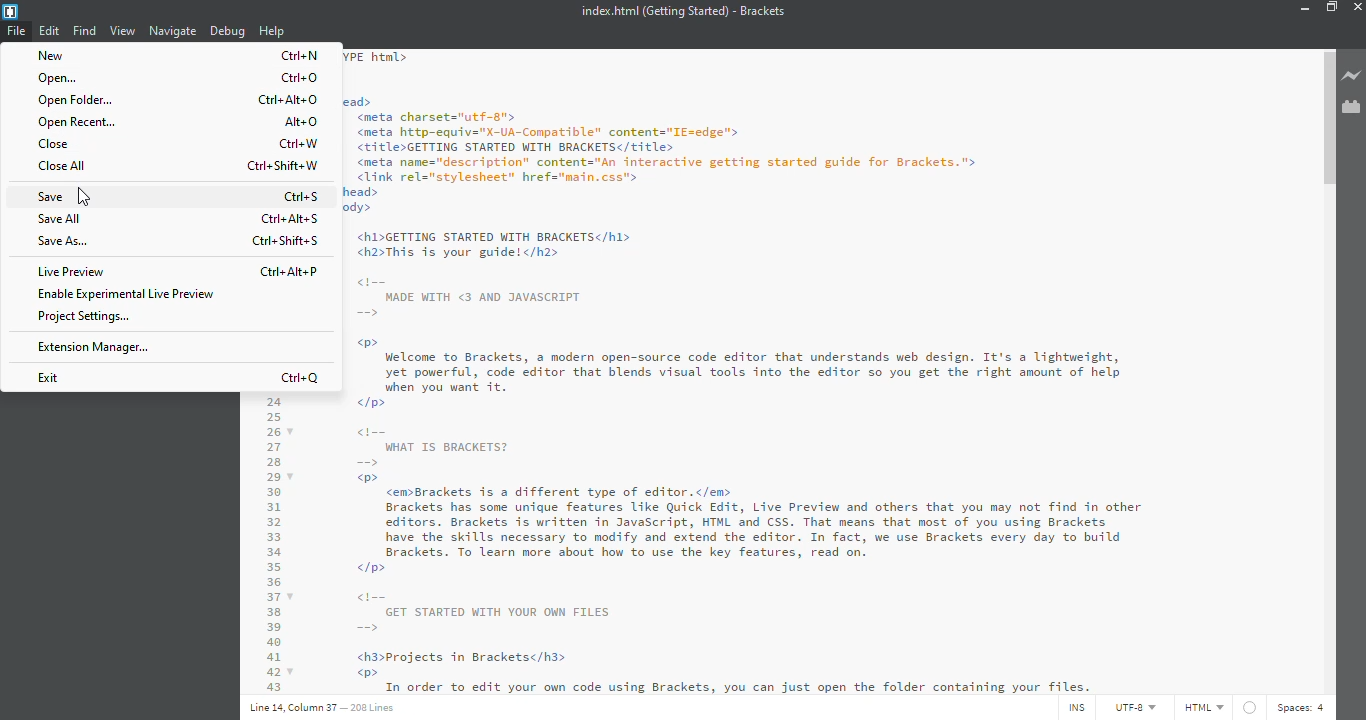 Image resolution: width=1366 pixels, height=720 pixels. Describe the element at coordinates (303, 77) in the screenshot. I see `ctrl+o` at that location.